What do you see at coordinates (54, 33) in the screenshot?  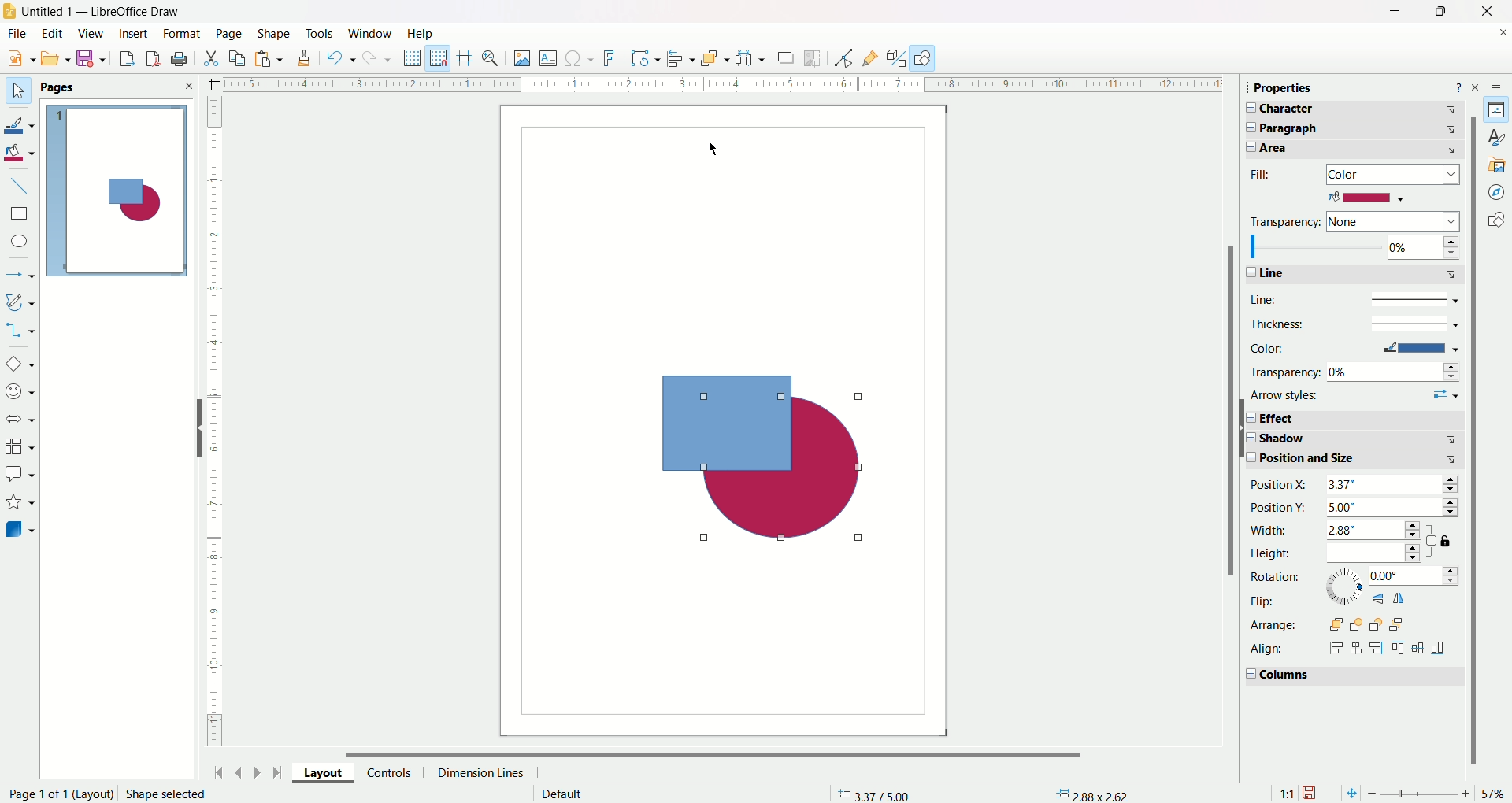 I see `edit` at bounding box center [54, 33].